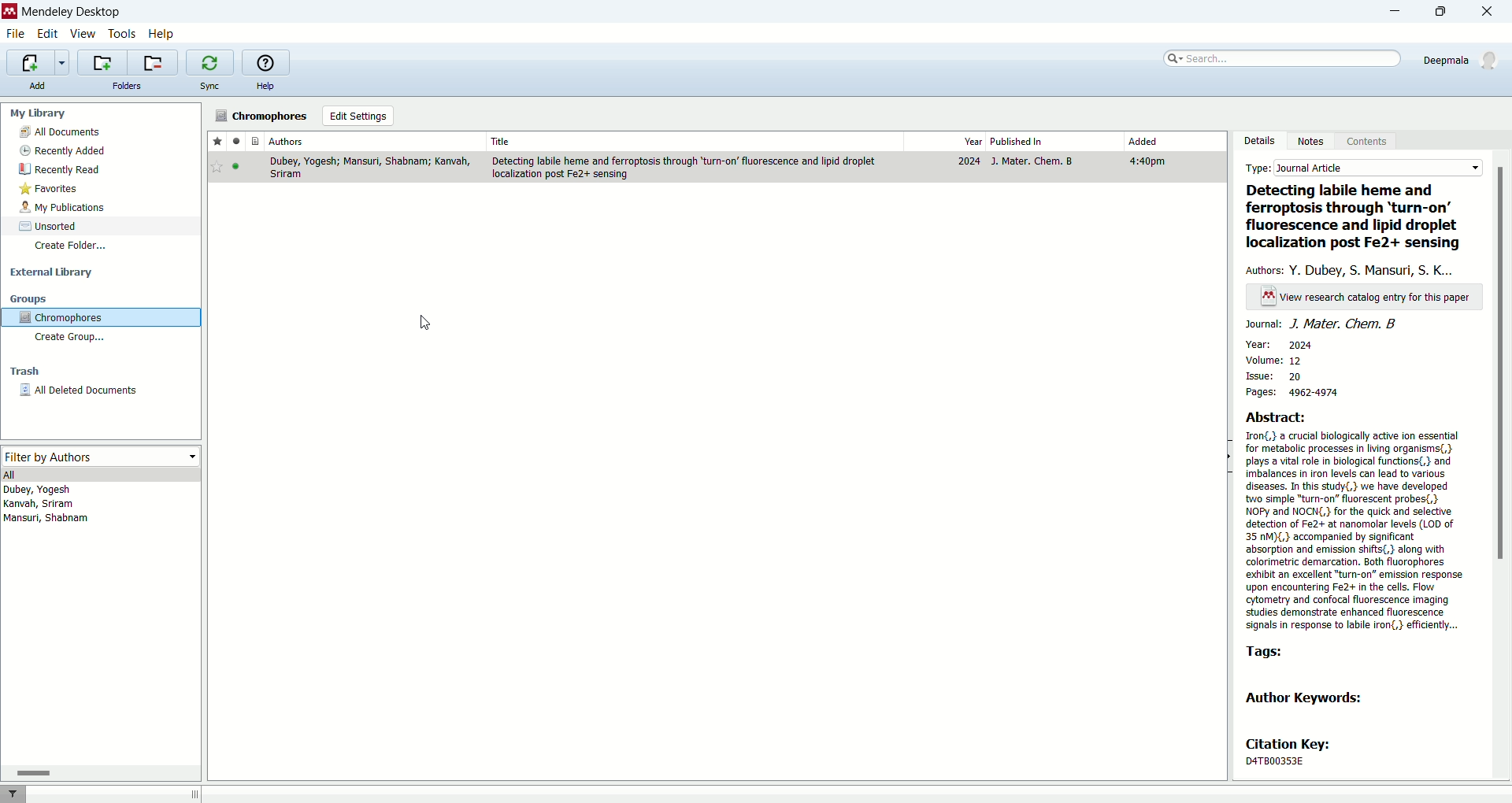 The image size is (1512, 803). Describe the element at coordinates (39, 86) in the screenshot. I see `add` at that location.